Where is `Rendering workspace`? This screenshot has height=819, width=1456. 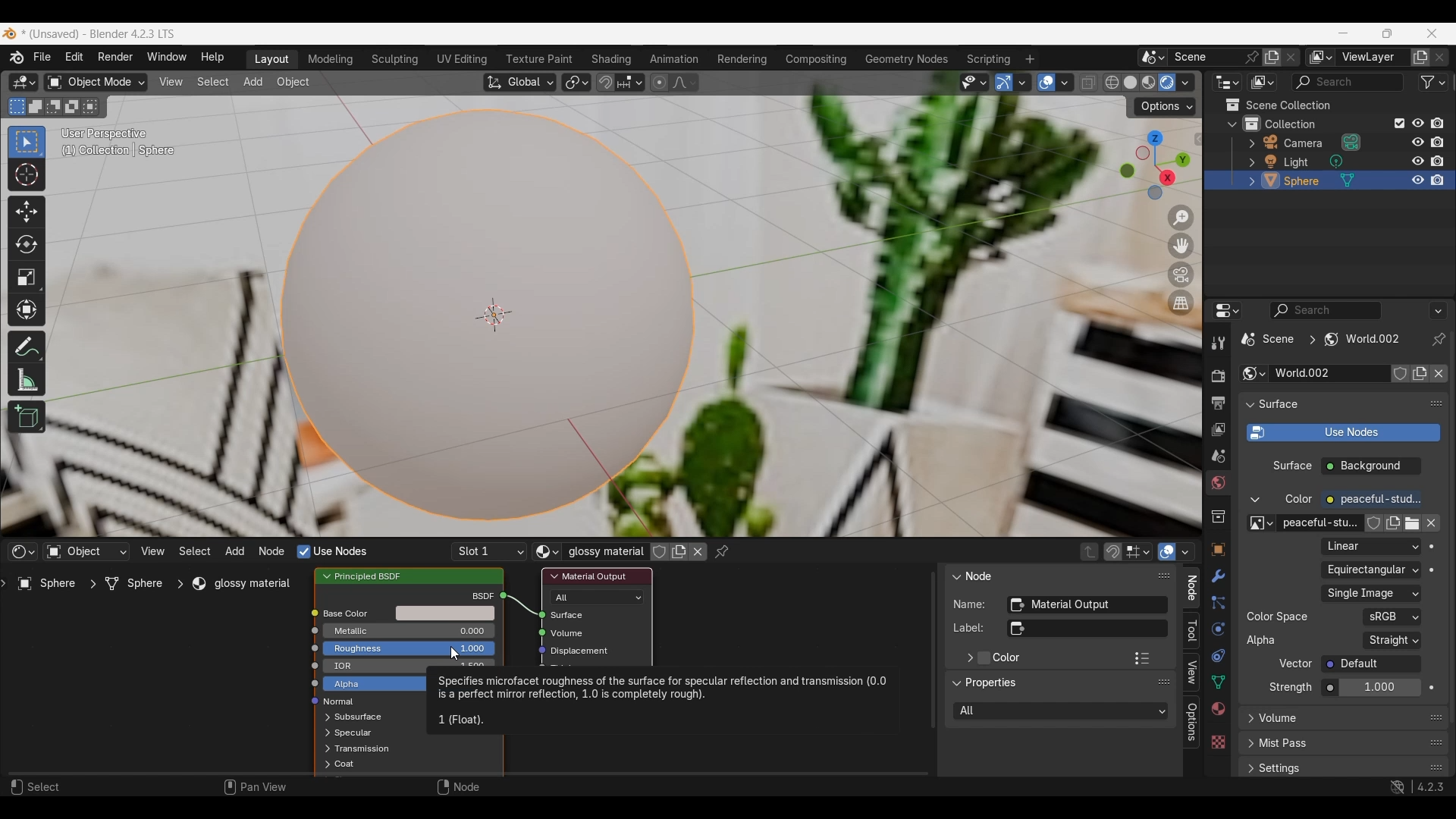 Rendering workspace is located at coordinates (742, 59).